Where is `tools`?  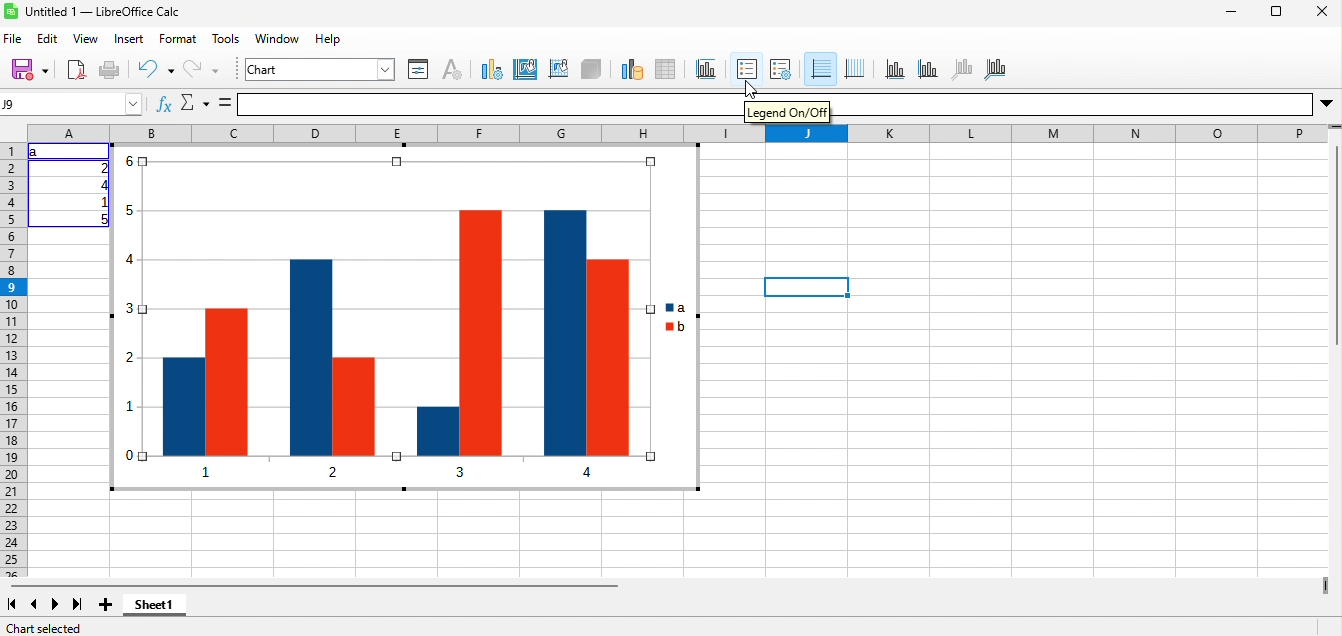 tools is located at coordinates (227, 40).